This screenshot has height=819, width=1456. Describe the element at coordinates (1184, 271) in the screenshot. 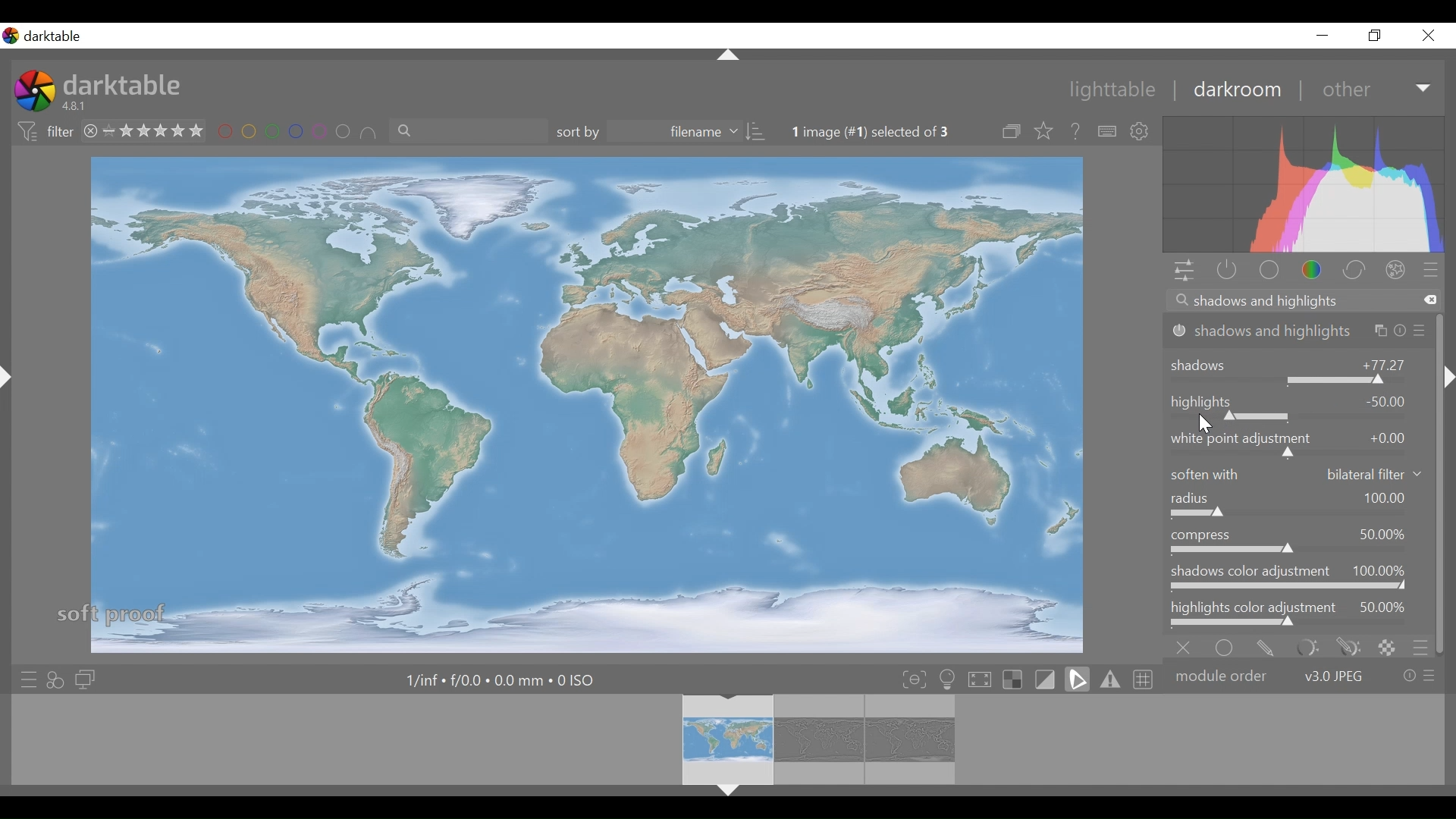

I see `quick acces panel` at that location.